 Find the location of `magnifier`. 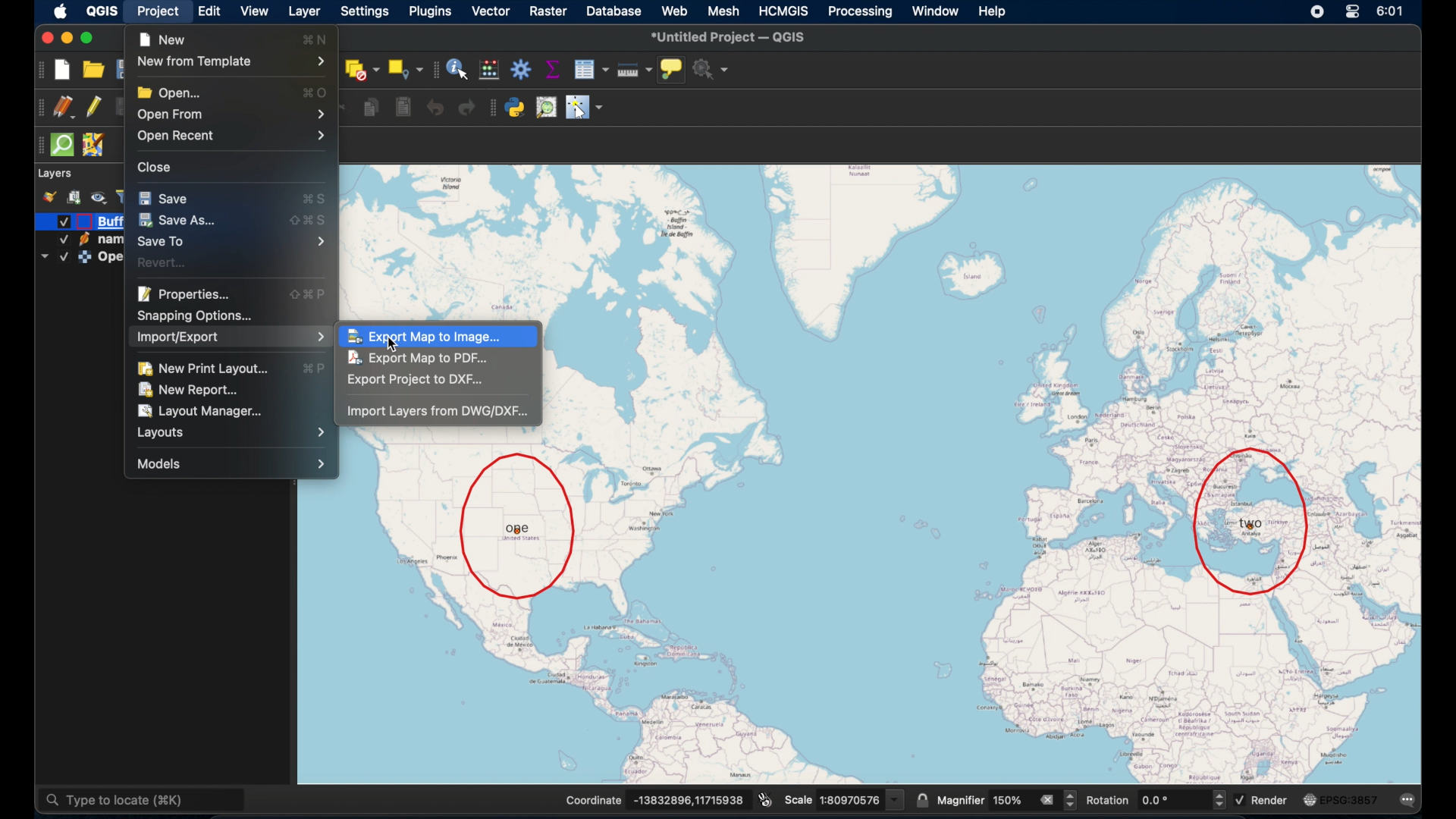

magnifier is located at coordinates (962, 800).